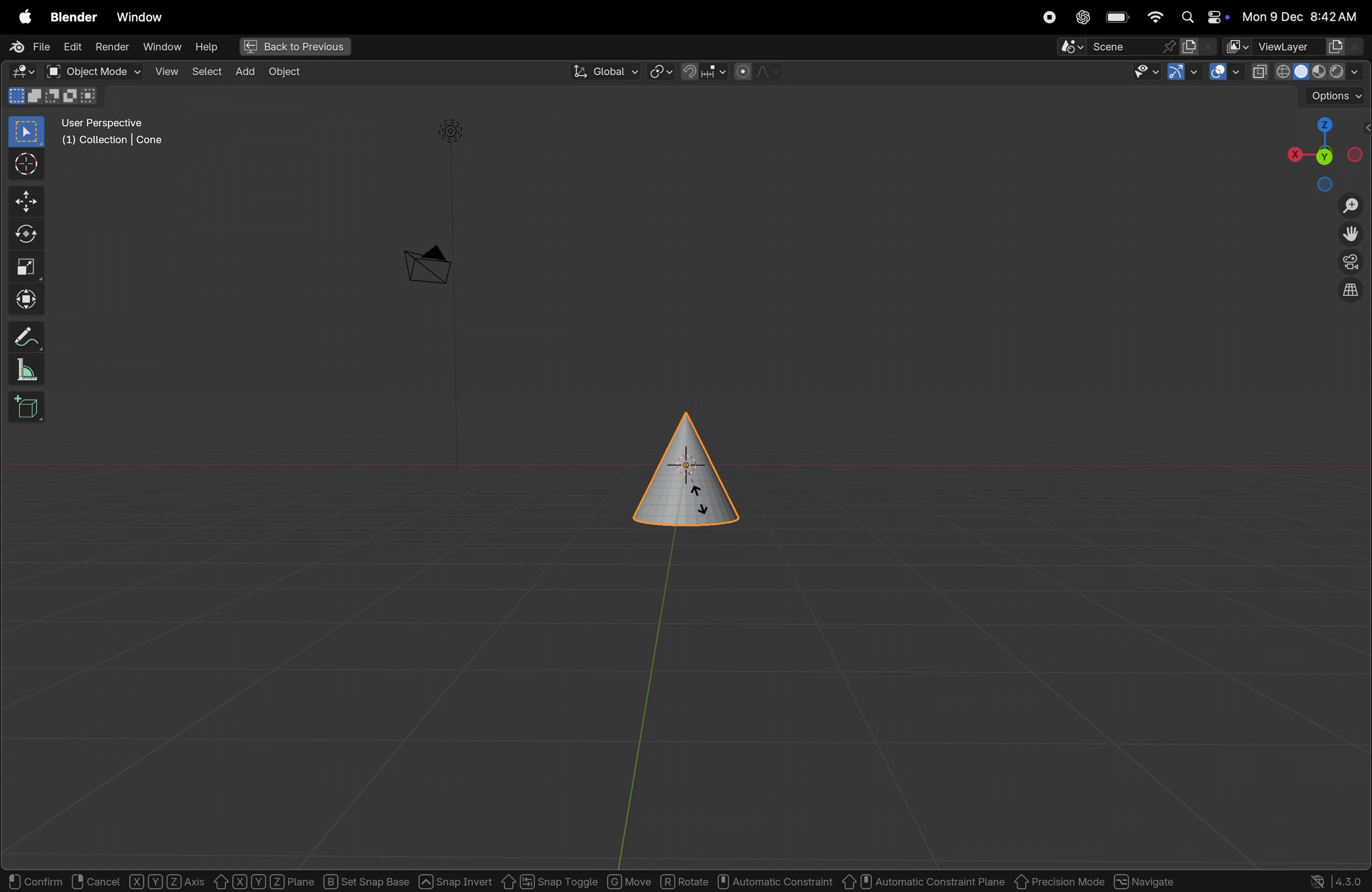 The width and height of the screenshot is (1372, 892). What do you see at coordinates (1299, 16) in the screenshot?
I see `date and time` at bounding box center [1299, 16].